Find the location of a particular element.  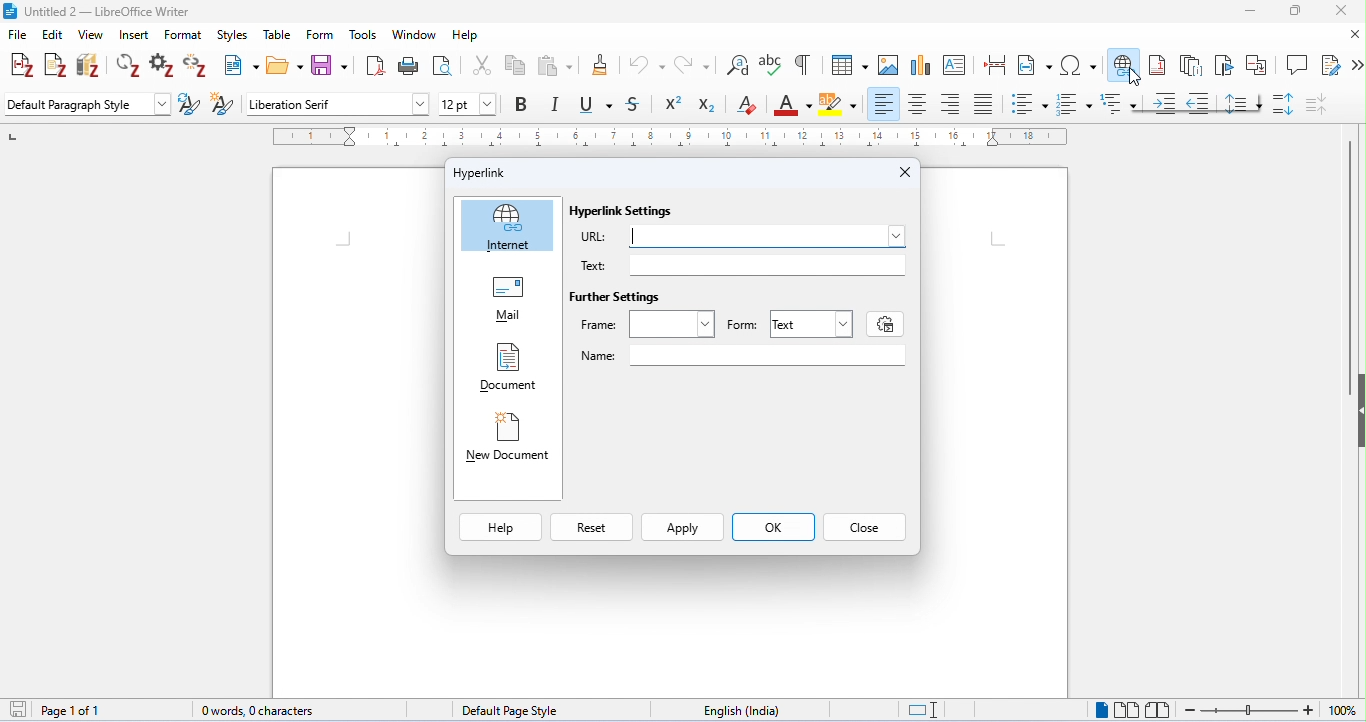

hide is located at coordinates (1357, 413).